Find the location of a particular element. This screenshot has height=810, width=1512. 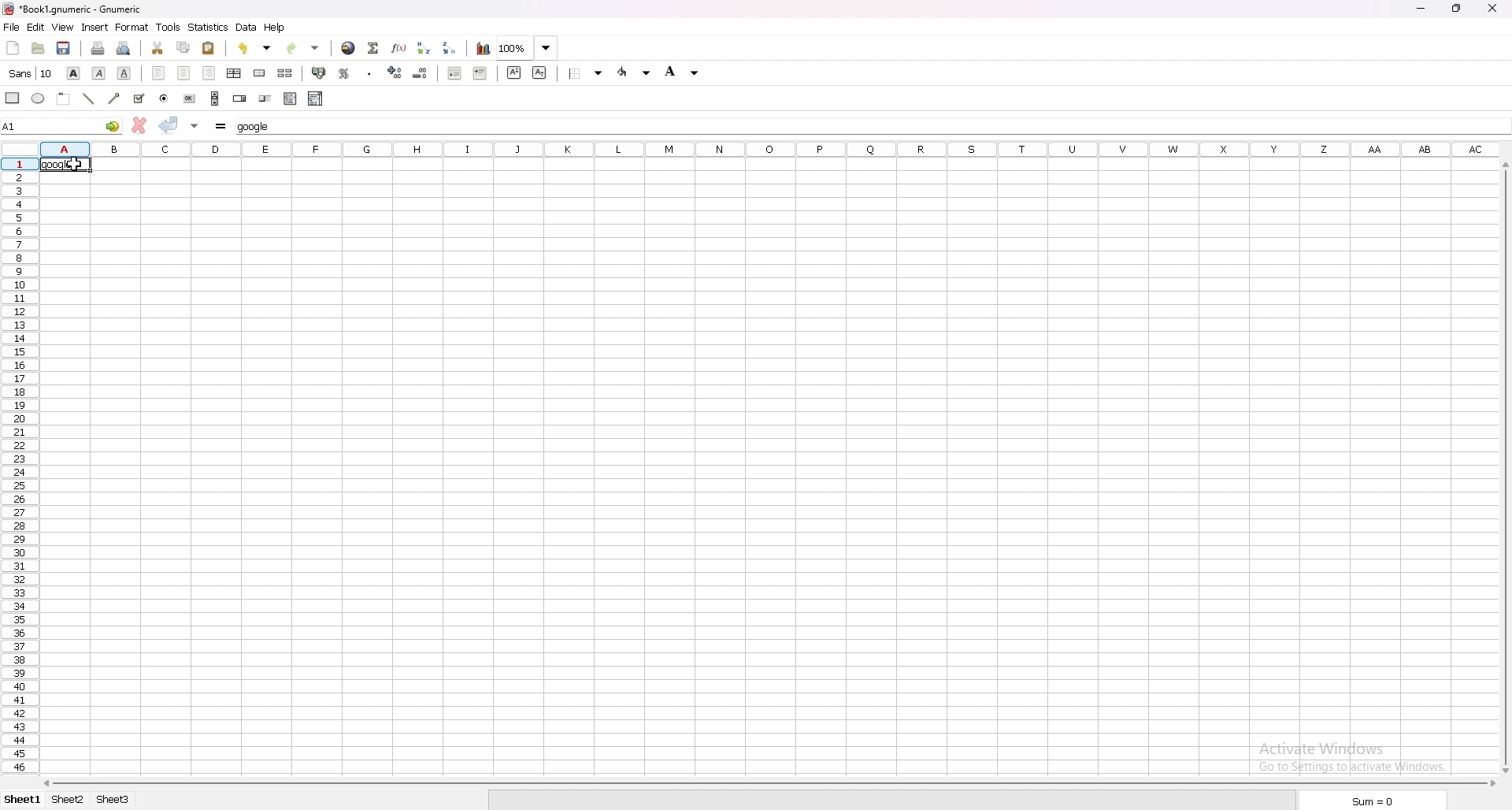

decrease indent is located at coordinates (454, 72).